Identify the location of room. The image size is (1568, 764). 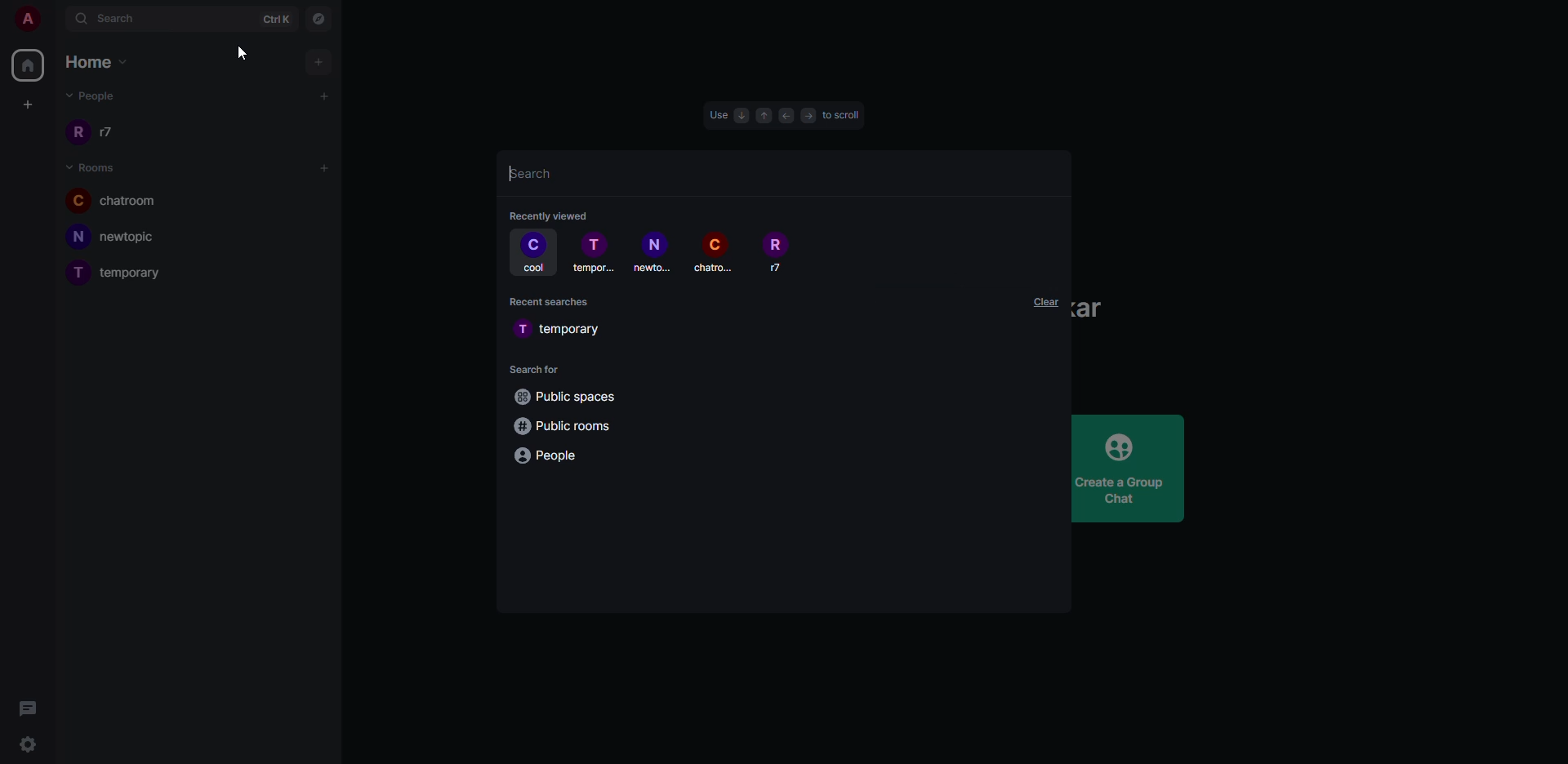
(122, 238).